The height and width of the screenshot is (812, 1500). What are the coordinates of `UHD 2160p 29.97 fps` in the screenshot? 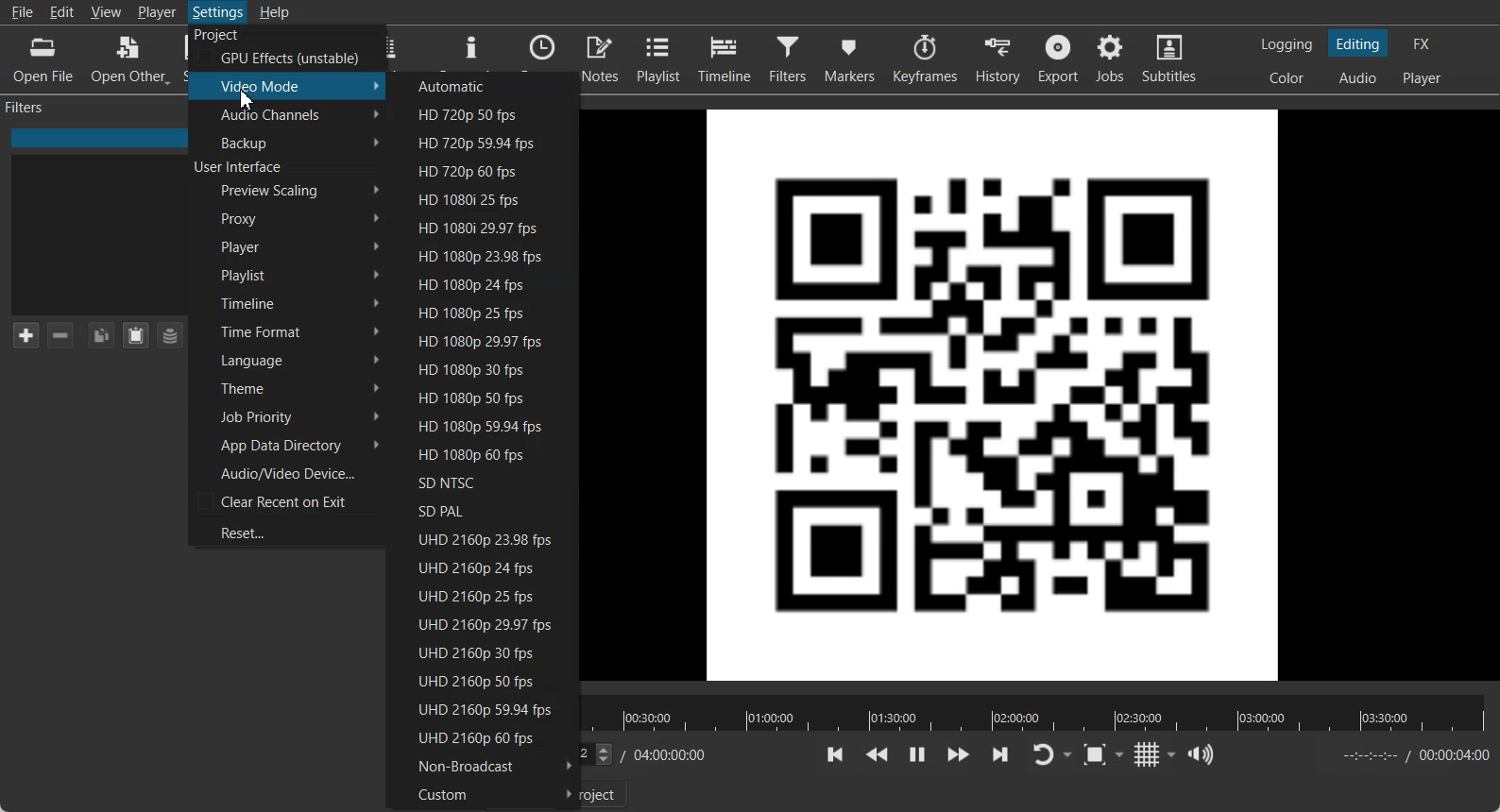 It's located at (475, 624).